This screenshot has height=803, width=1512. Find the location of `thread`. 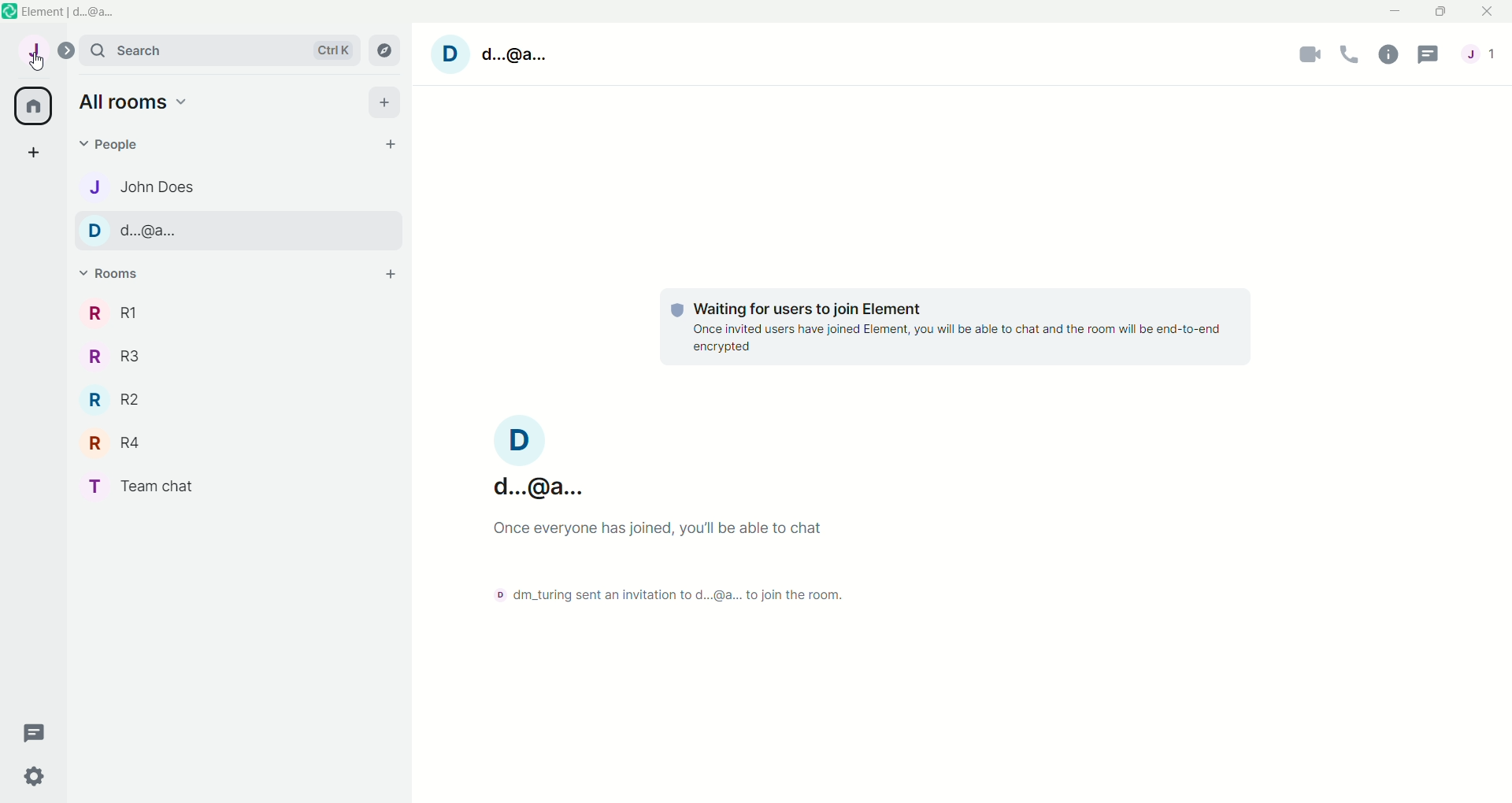

thread is located at coordinates (37, 733).